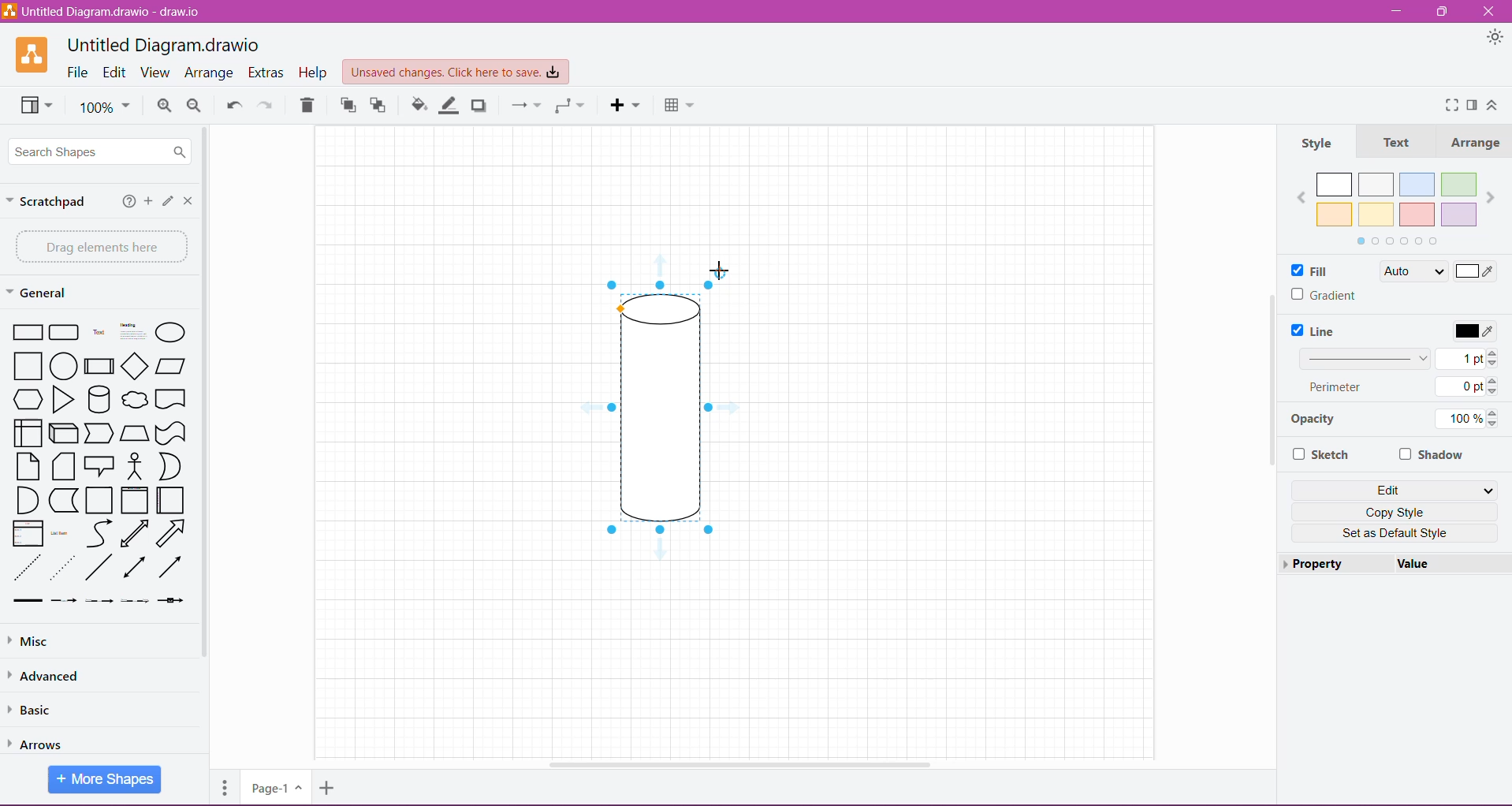 This screenshot has height=806, width=1512. I want to click on Restore Down, so click(1443, 12).